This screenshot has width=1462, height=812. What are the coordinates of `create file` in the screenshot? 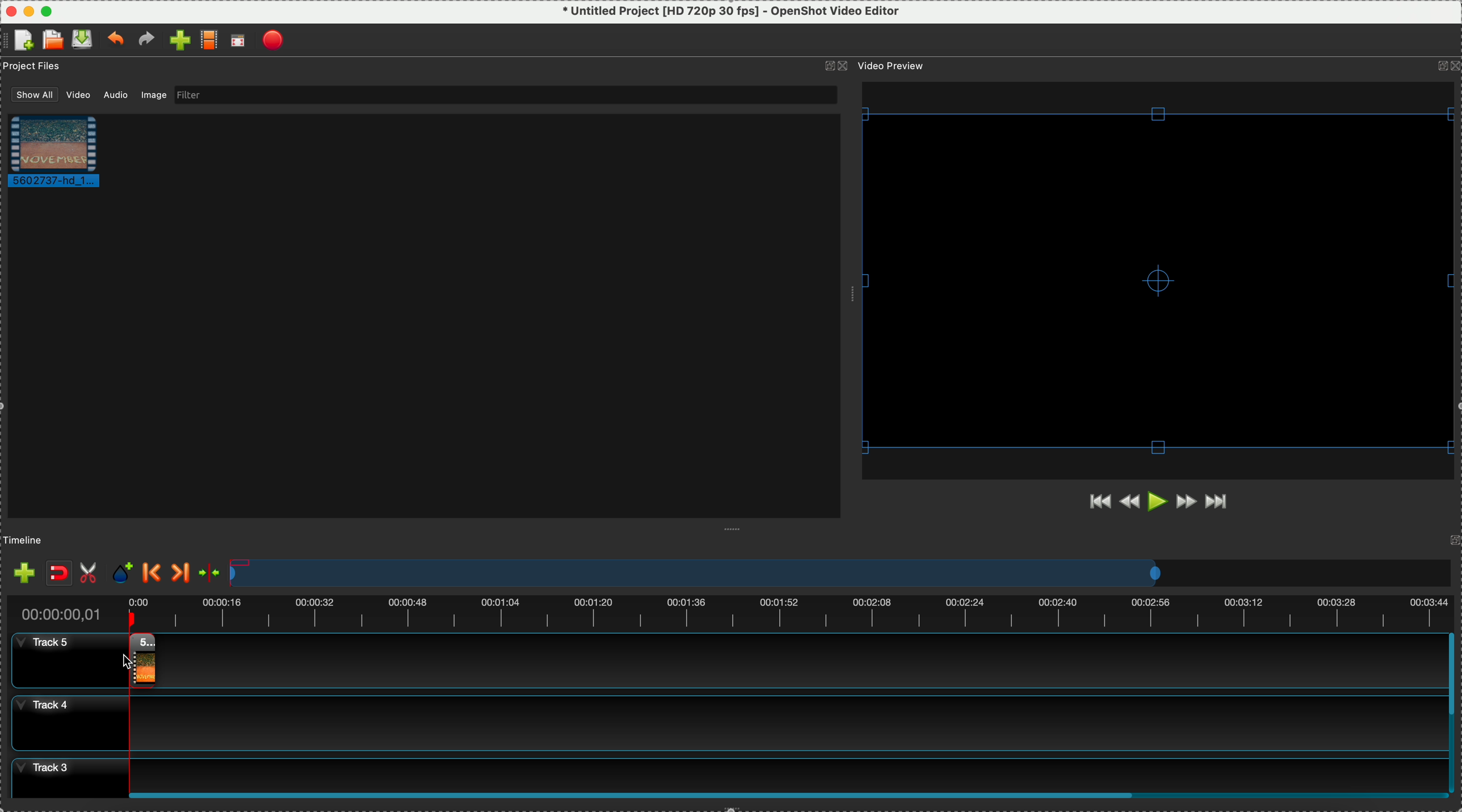 It's located at (21, 41).